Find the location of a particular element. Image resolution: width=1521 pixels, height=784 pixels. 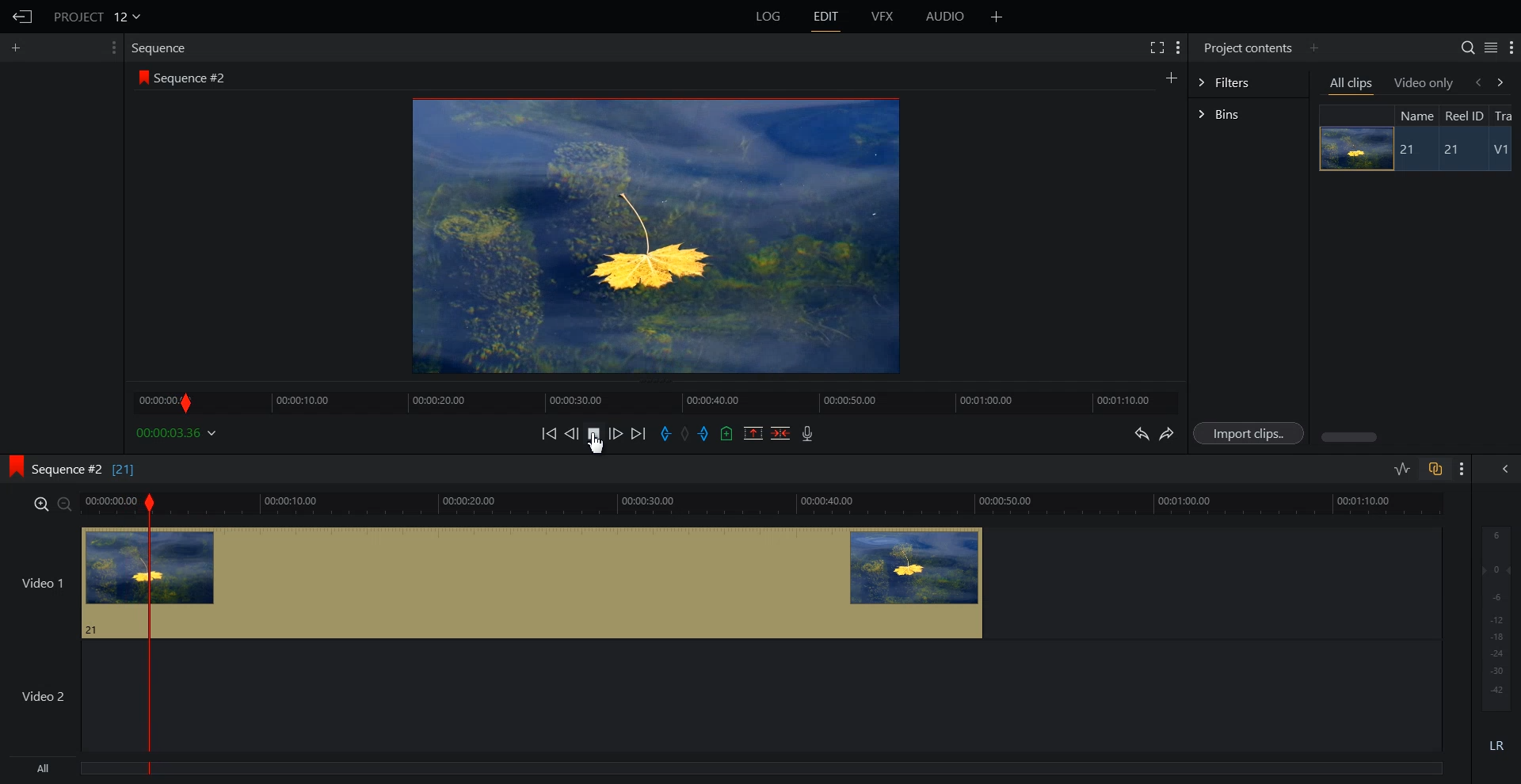

Add an Cue in current position is located at coordinates (727, 433).